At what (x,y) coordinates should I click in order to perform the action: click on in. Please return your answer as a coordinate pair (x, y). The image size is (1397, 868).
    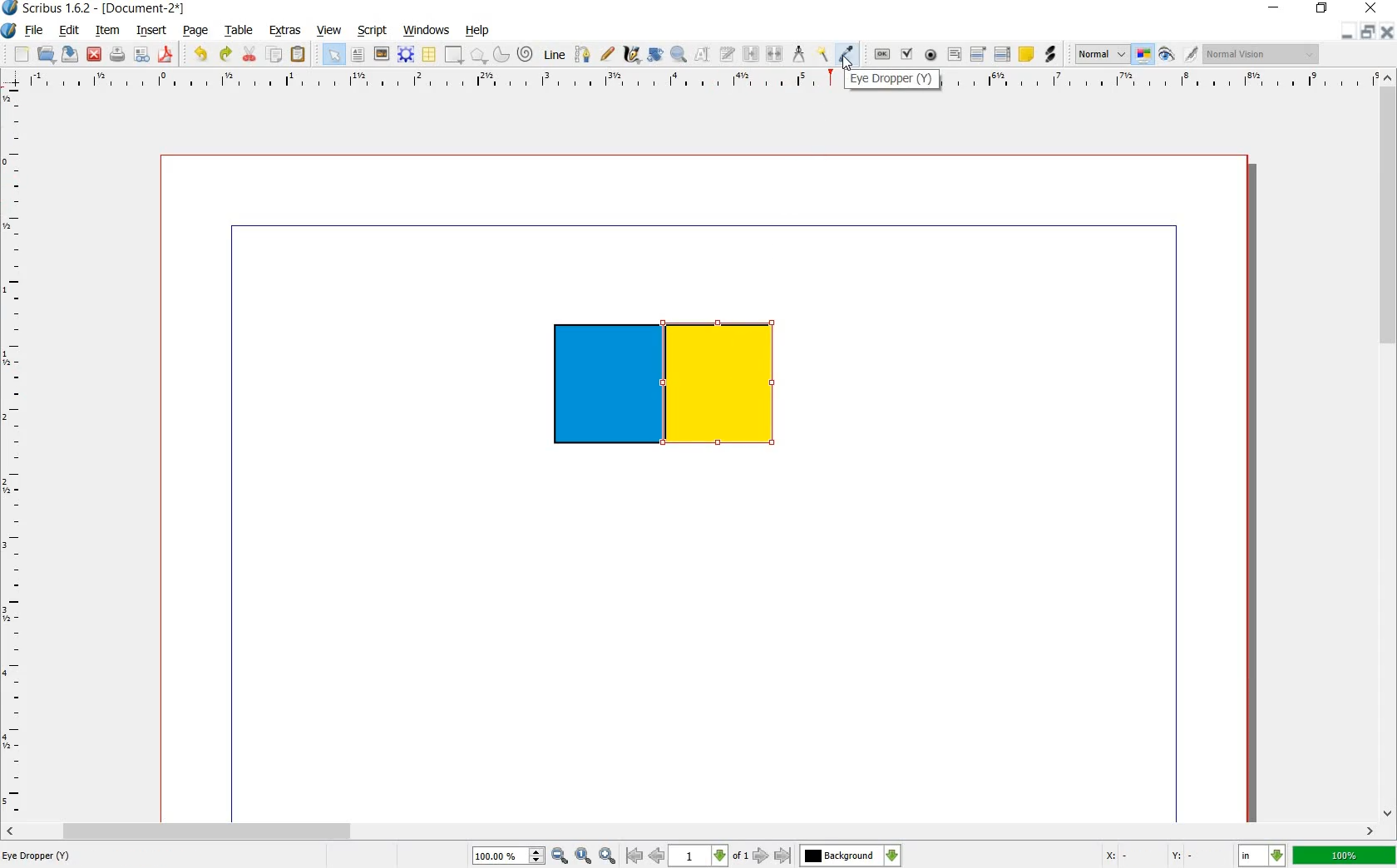
    Looking at the image, I should click on (1260, 855).